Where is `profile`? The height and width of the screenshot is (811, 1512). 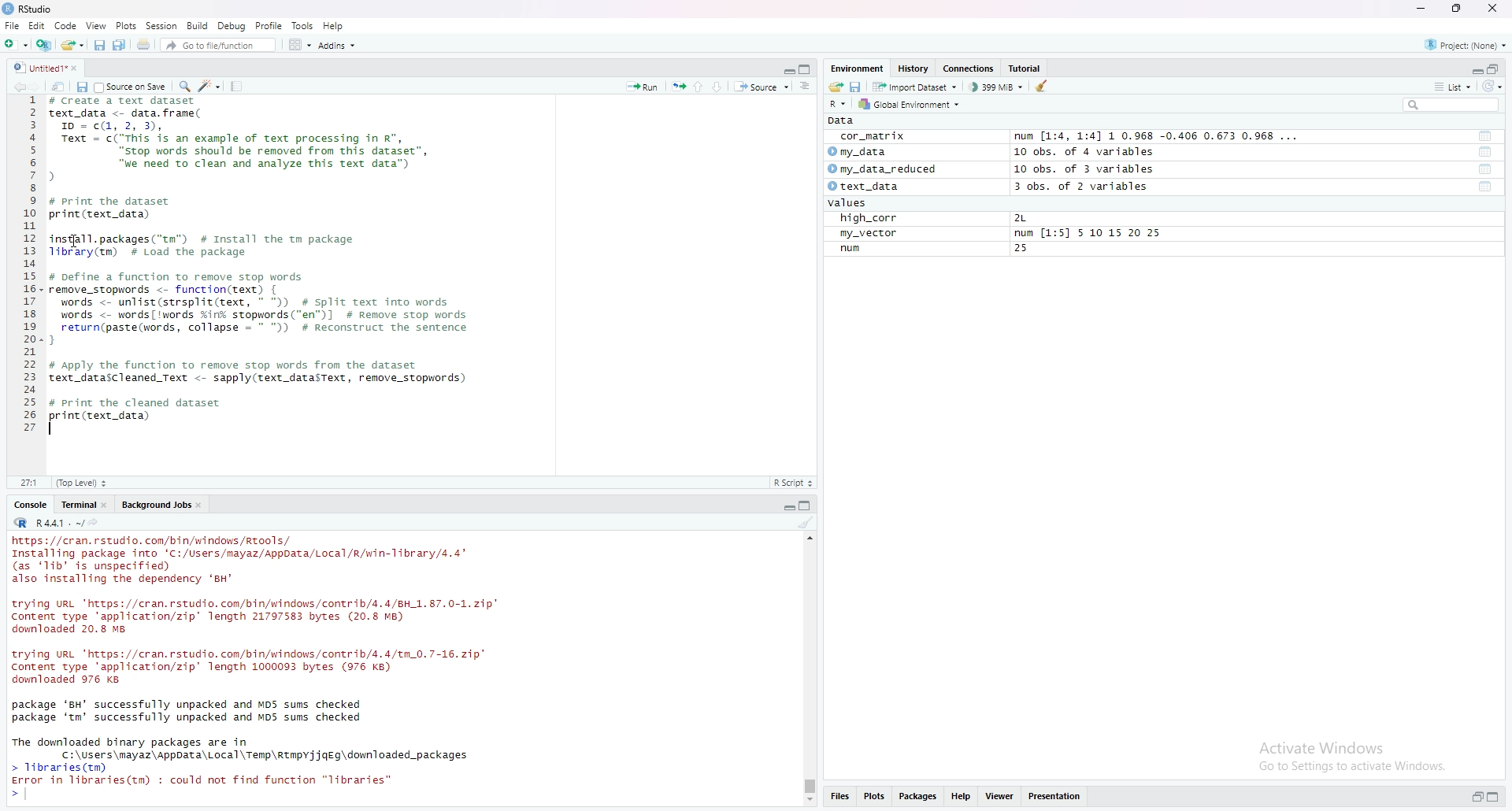
profile is located at coordinates (271, 25).